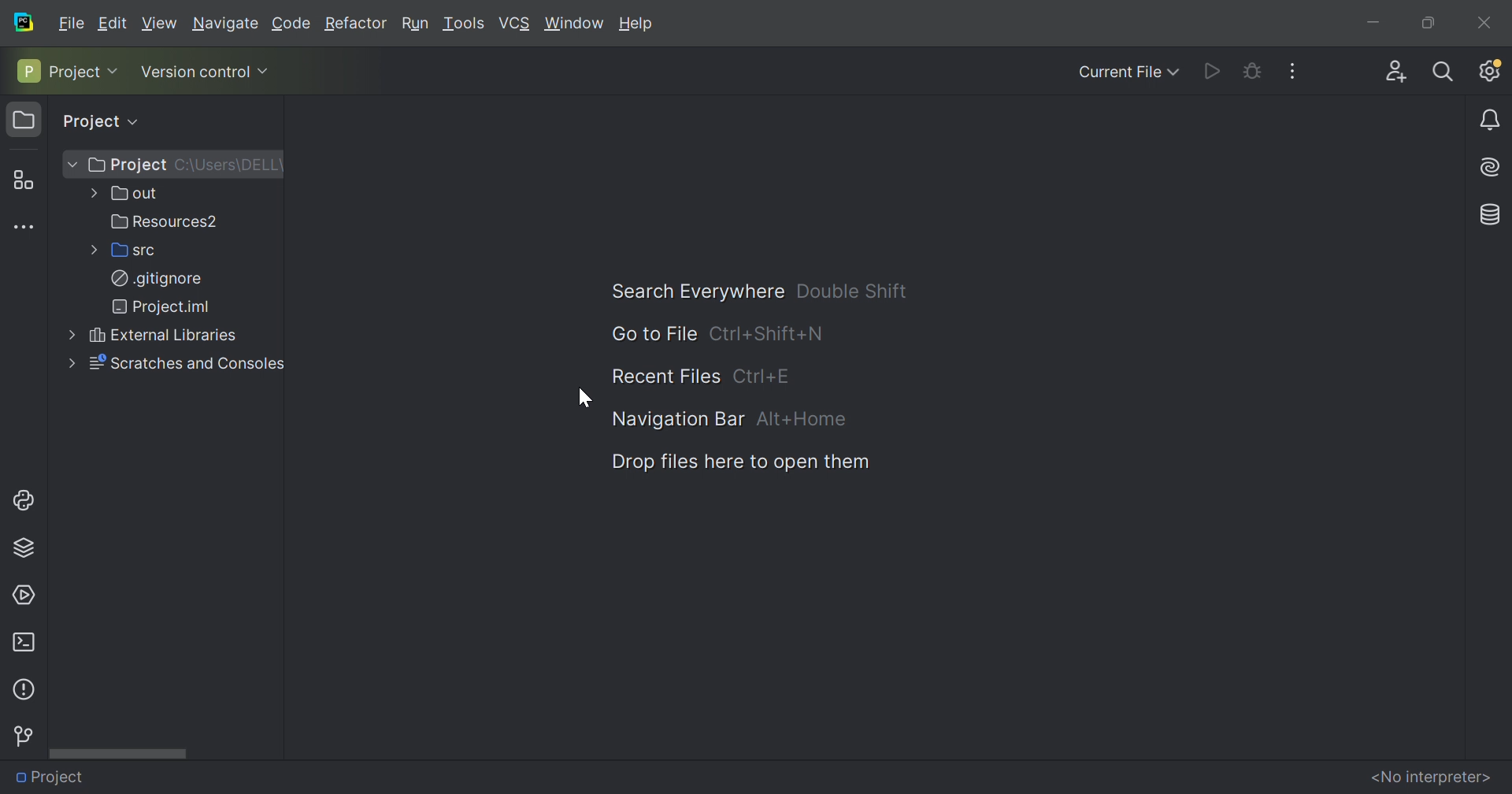  What do you see at coordinates (1492, 212) in the screenshot?
I see `Database` at bounding box center [1492, 212].